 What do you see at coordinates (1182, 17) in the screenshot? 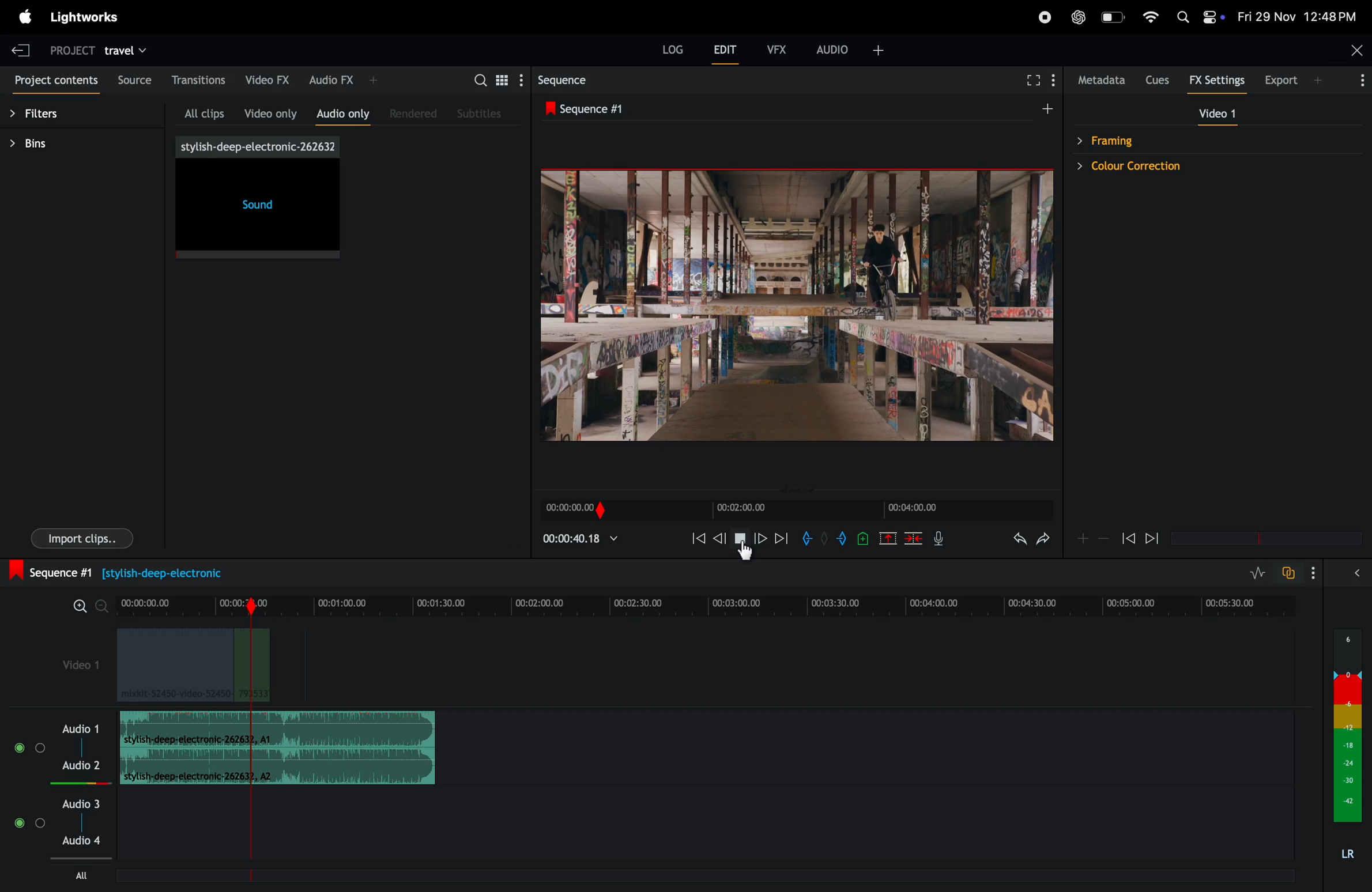
I see `Spotlight.` at bounding box center [1182, 17].